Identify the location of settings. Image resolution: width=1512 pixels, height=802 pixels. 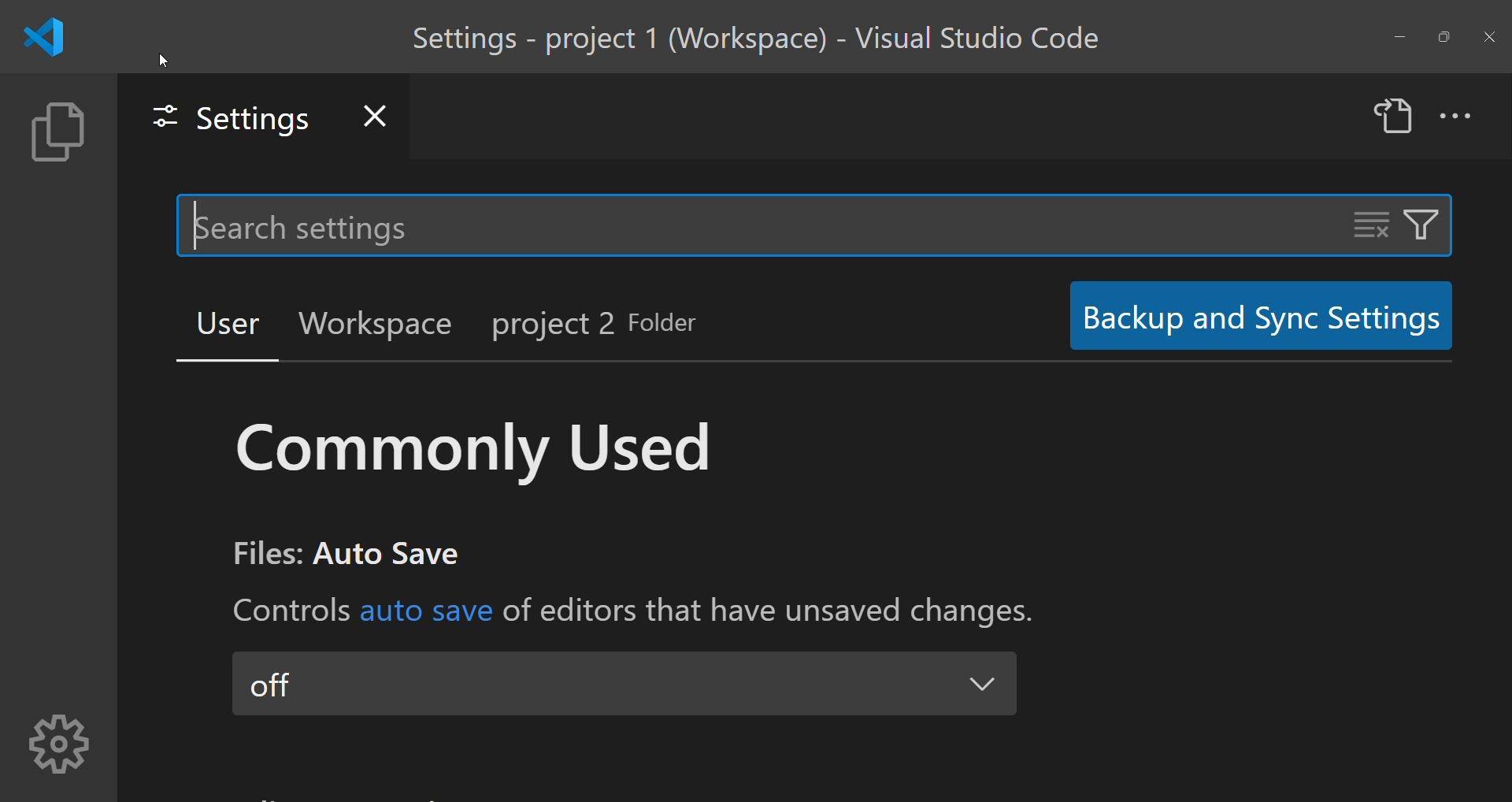
(57, 744).